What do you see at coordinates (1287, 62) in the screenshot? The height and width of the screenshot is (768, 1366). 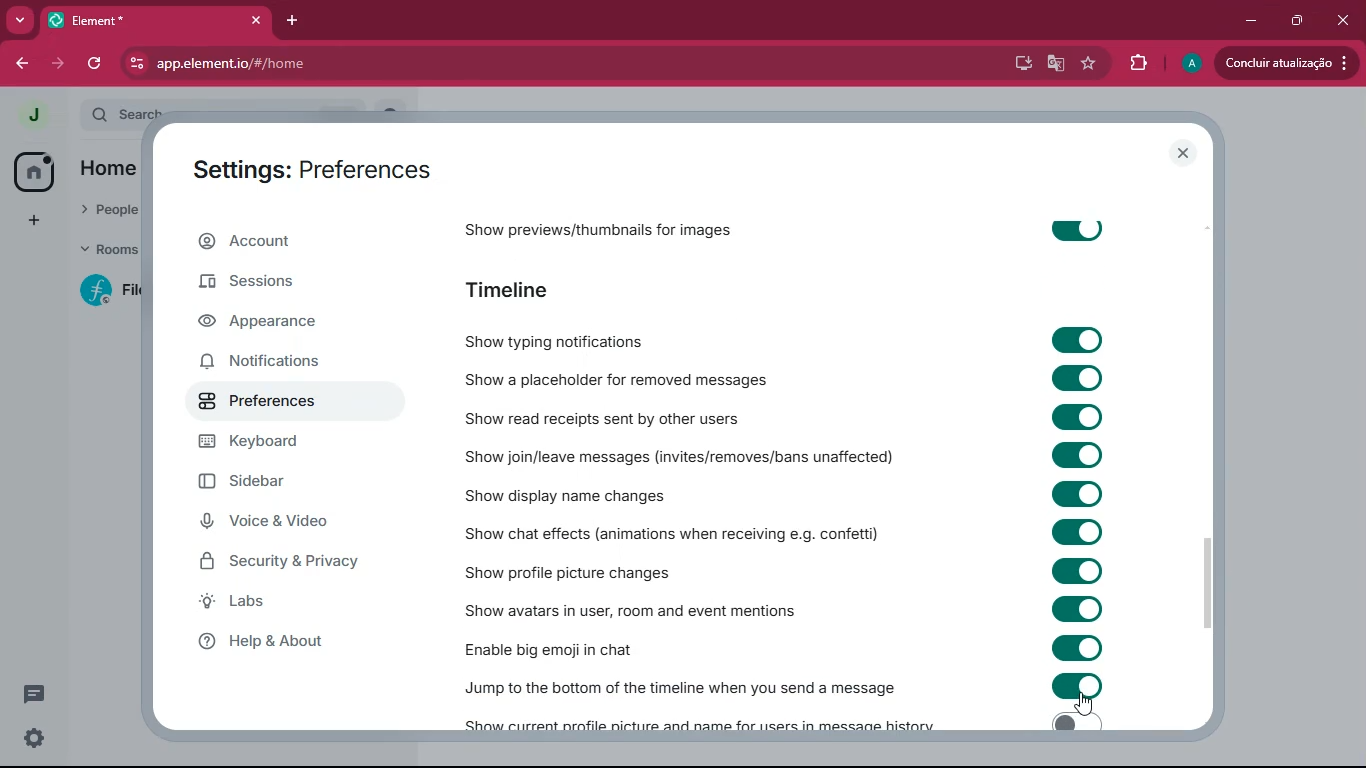 I see `concluir atualizacao` at bounding box center [1287, 62].